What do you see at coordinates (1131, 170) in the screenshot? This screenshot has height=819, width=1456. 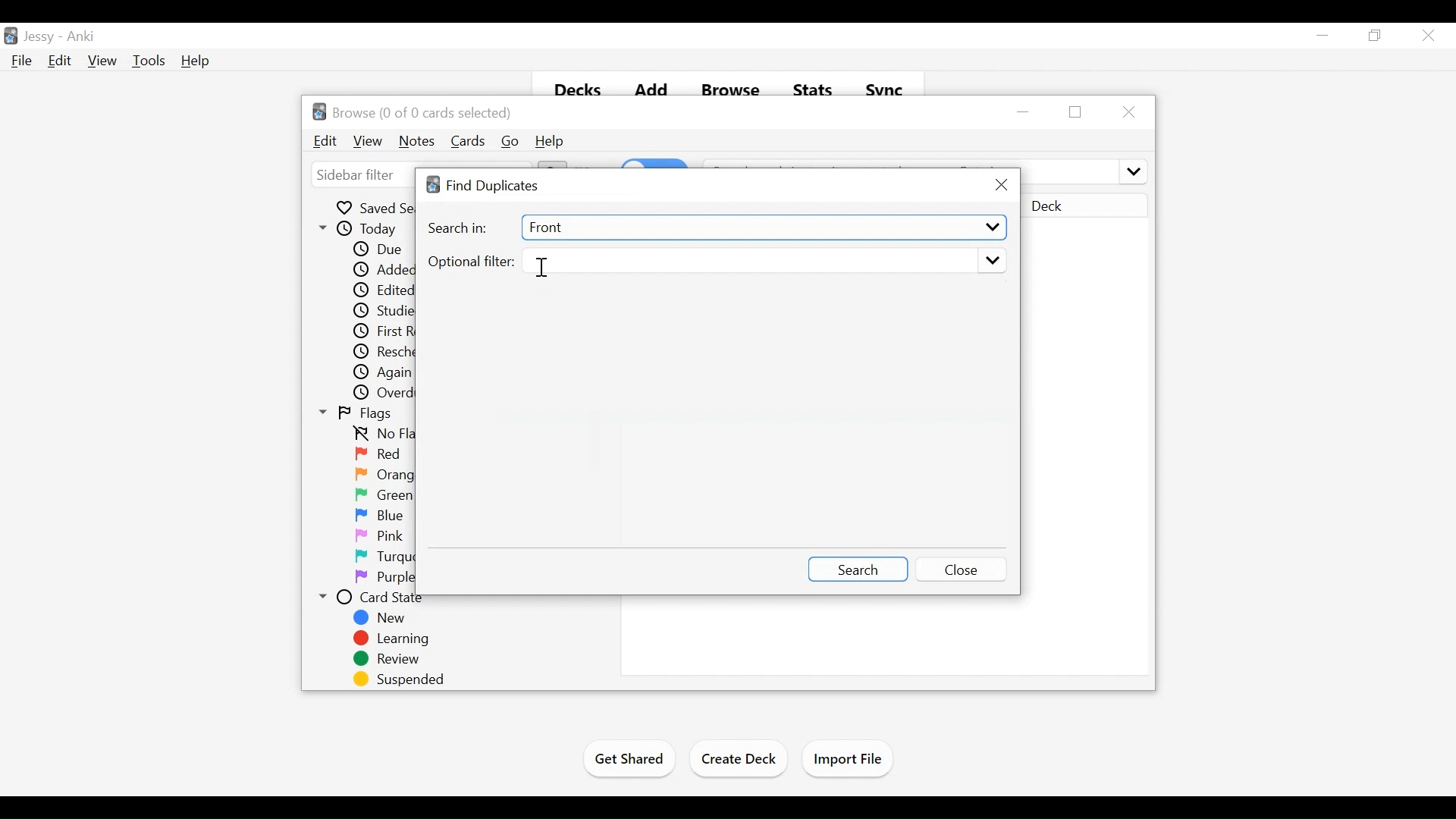 I see `more options` at bounding box center [1131, 170].